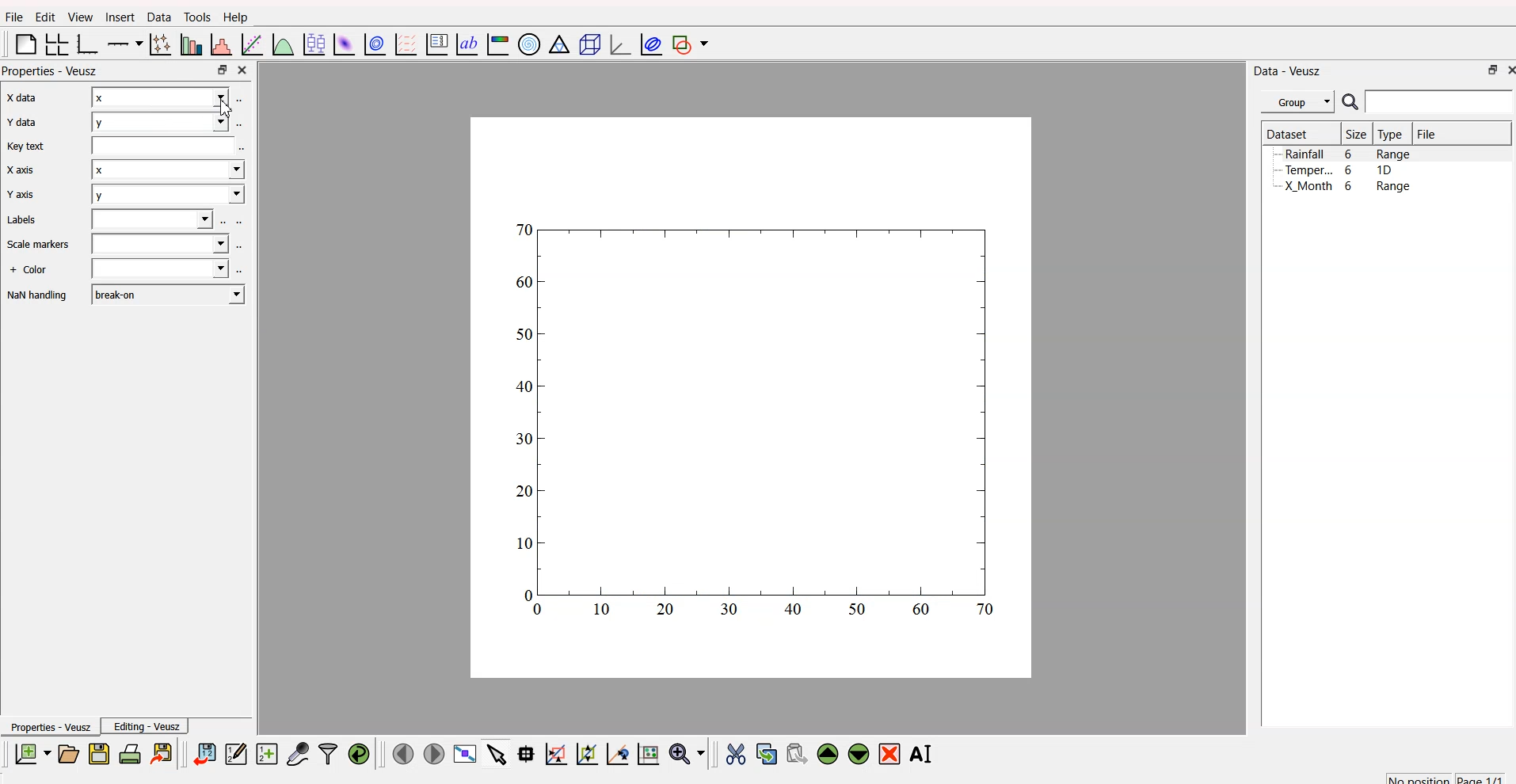 This screenshot has height=784, width=1516. What do you see at coordinates (1287, 133) in the screenshot?
I see `Dataset` at bounding box center [1287, 133].